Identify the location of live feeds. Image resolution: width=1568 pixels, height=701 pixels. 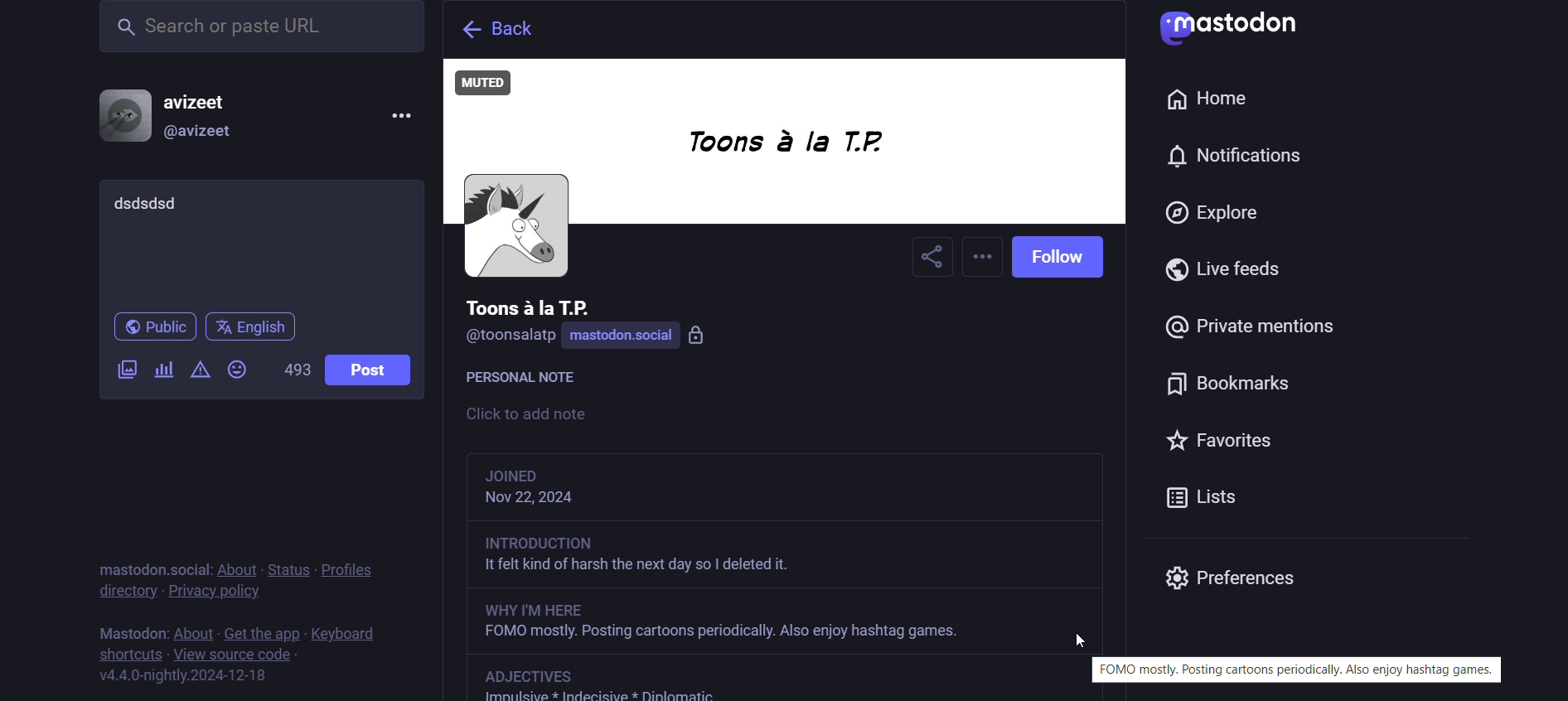
(1232, 277).